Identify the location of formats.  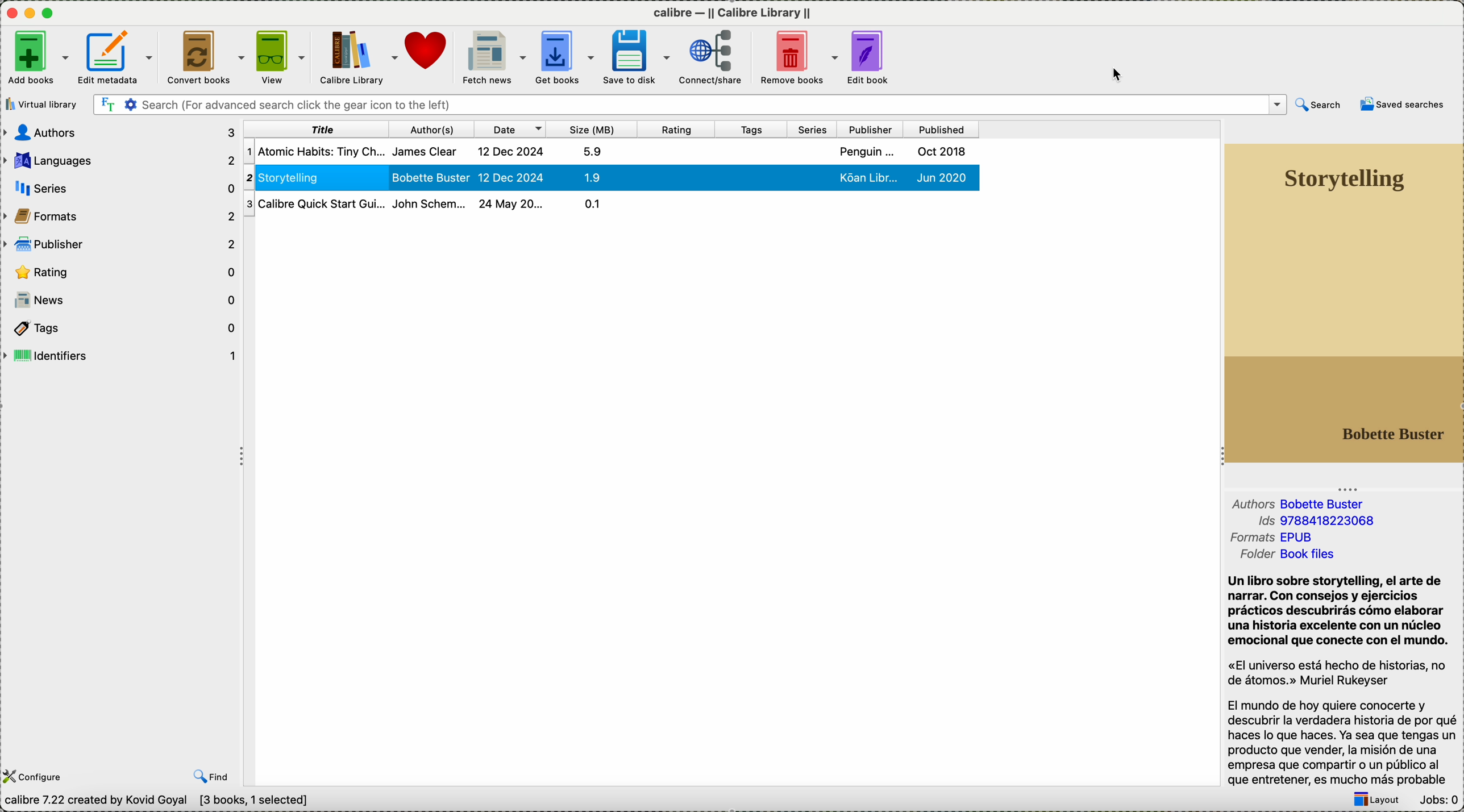
(121, 214).